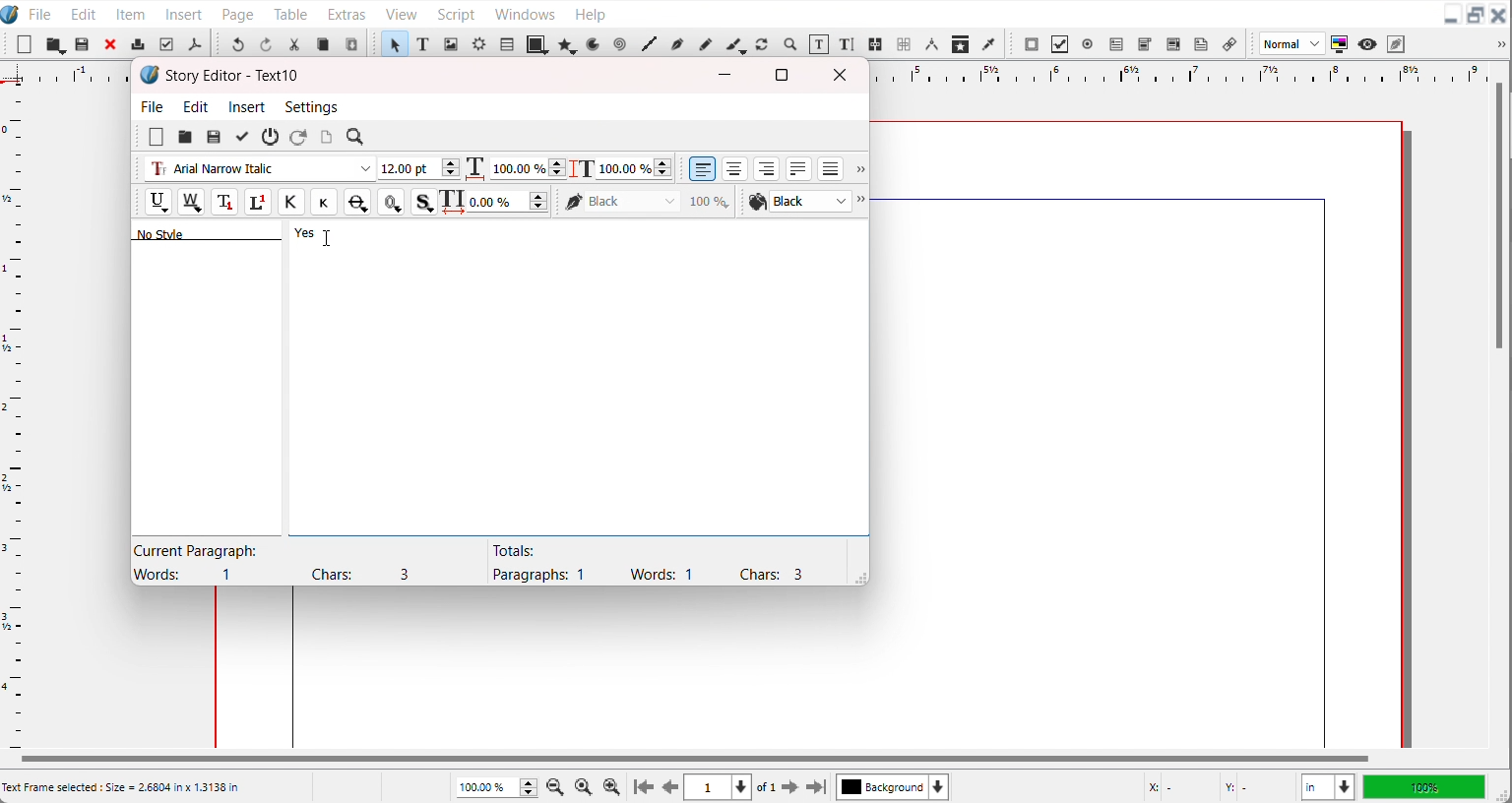 This screenshot has width=1512, height=803. Describe the element at coordinates (931, 44) in the screenshot. I see `Measurements` at that location.